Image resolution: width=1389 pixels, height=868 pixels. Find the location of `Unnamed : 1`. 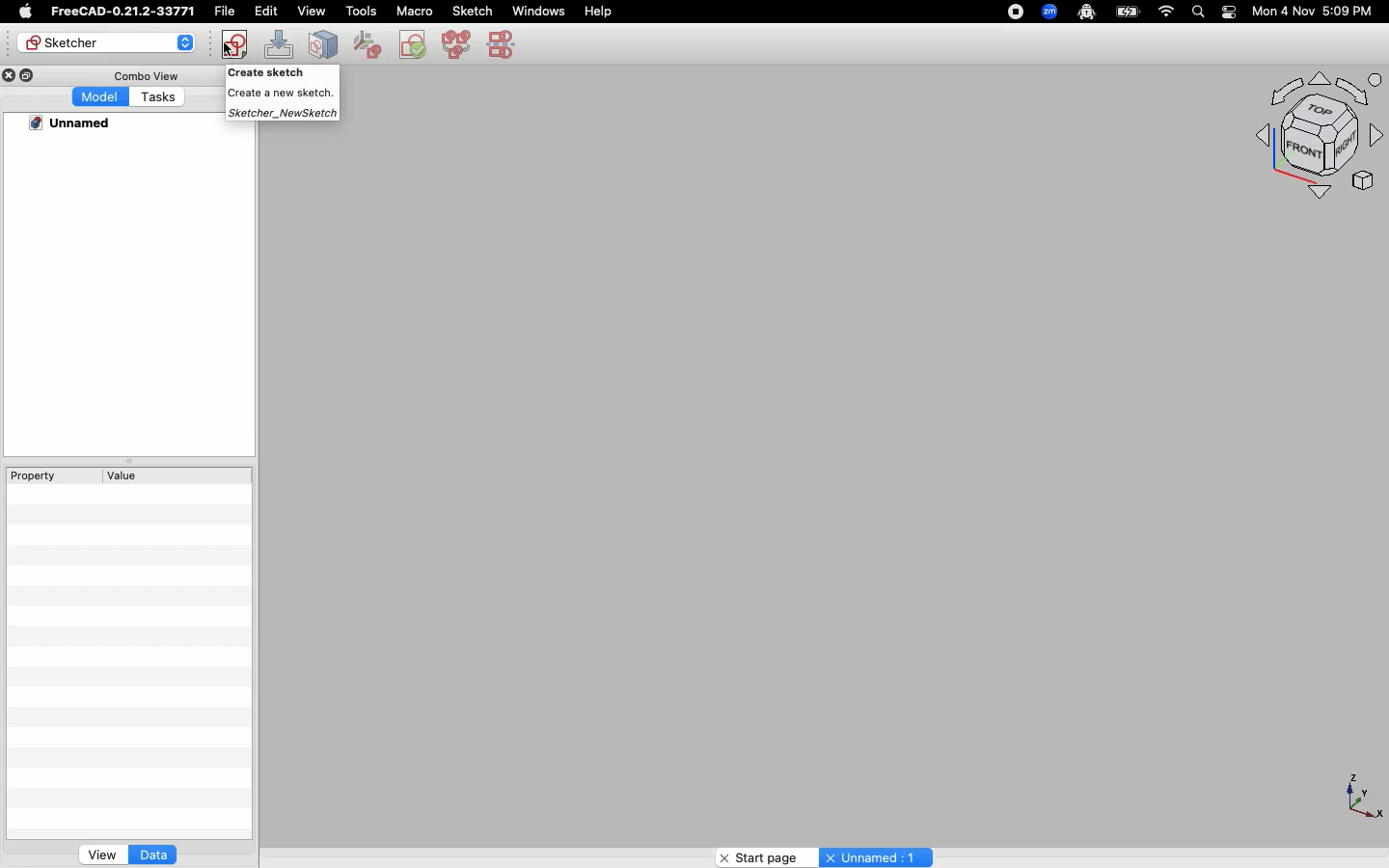

Unnamed : 1 is located at coordinates (876, 857).